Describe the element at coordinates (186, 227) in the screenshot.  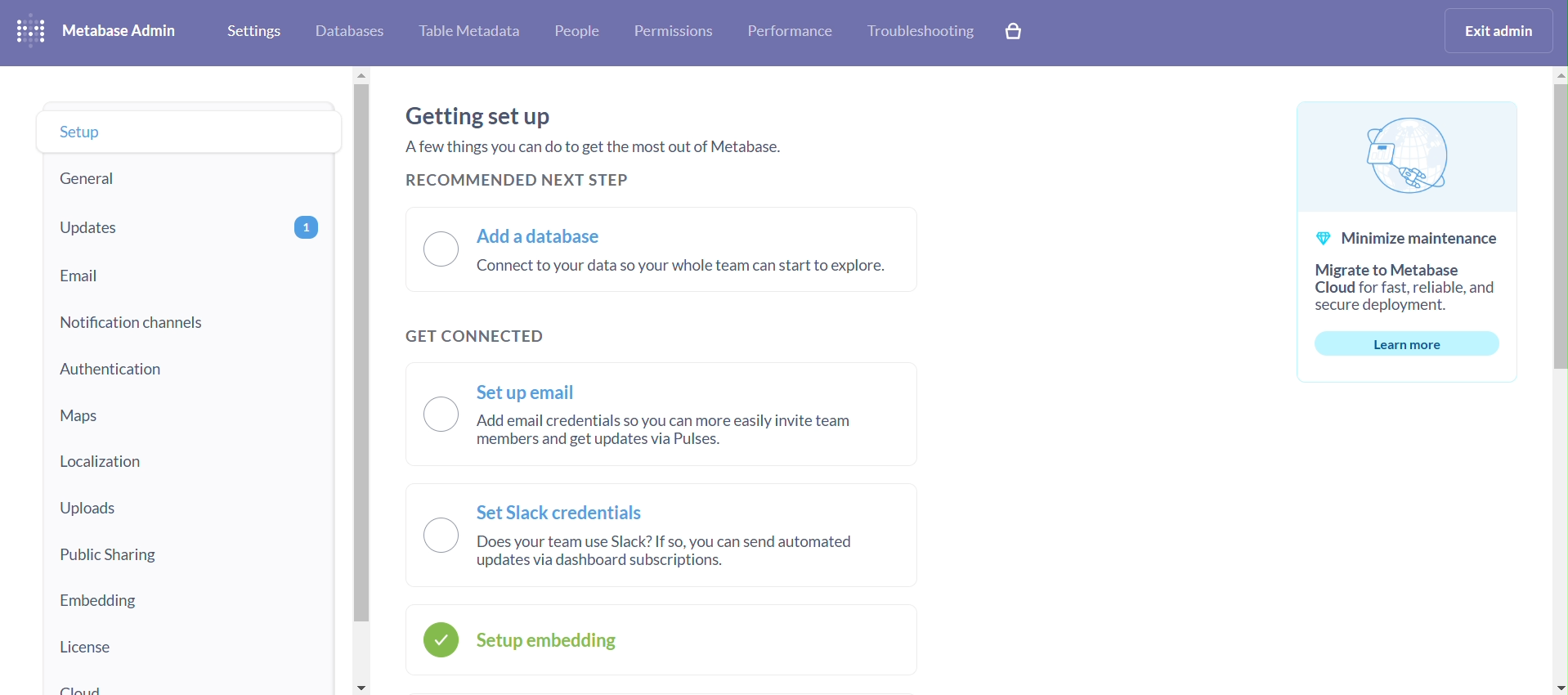
I see `updates` at that location.